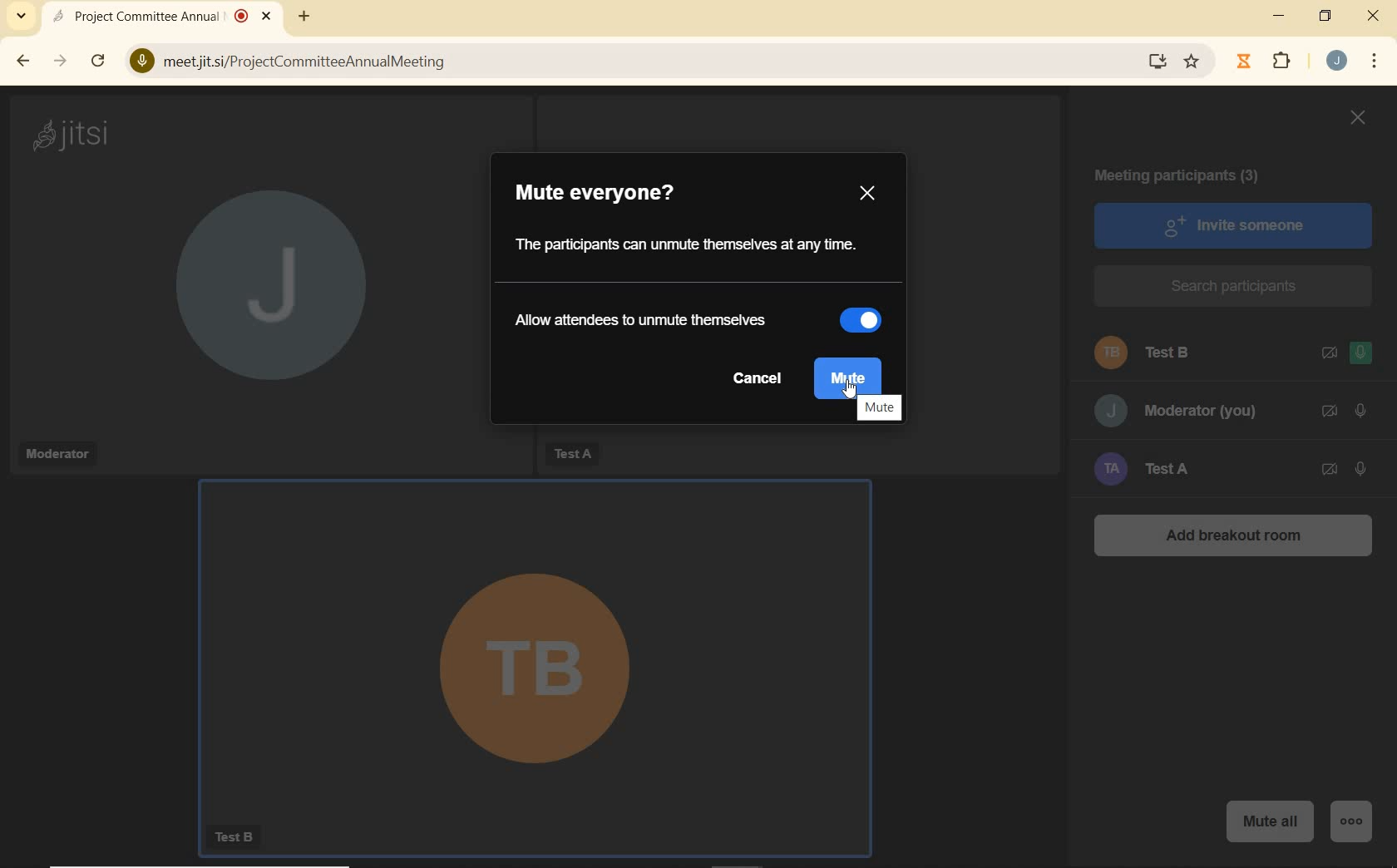  Describe the element at coordinates (1339, 62) in the screenshot. I see `ACCOUNT` at that location.